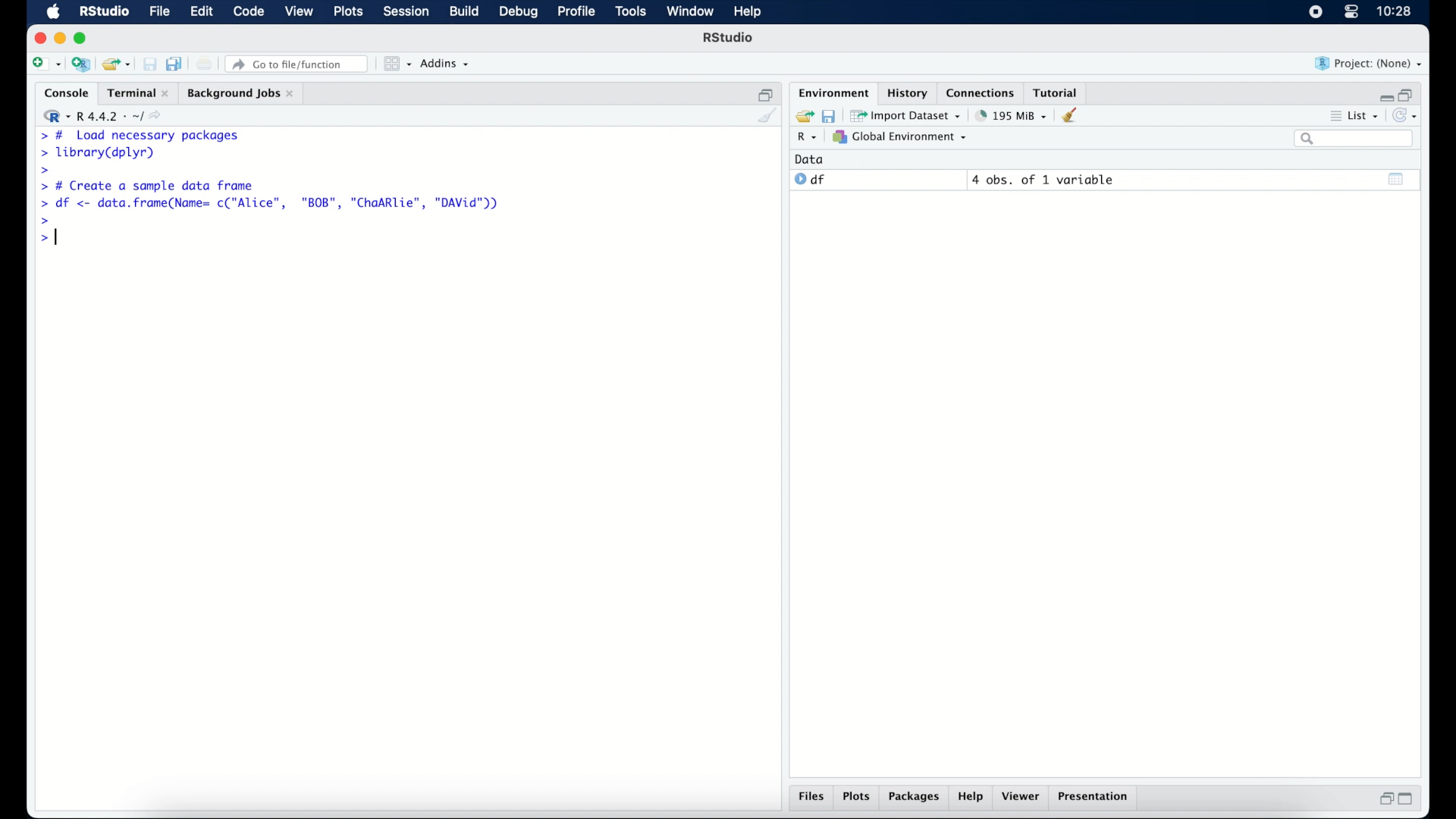  I want to click on packages, so click(915, 799).